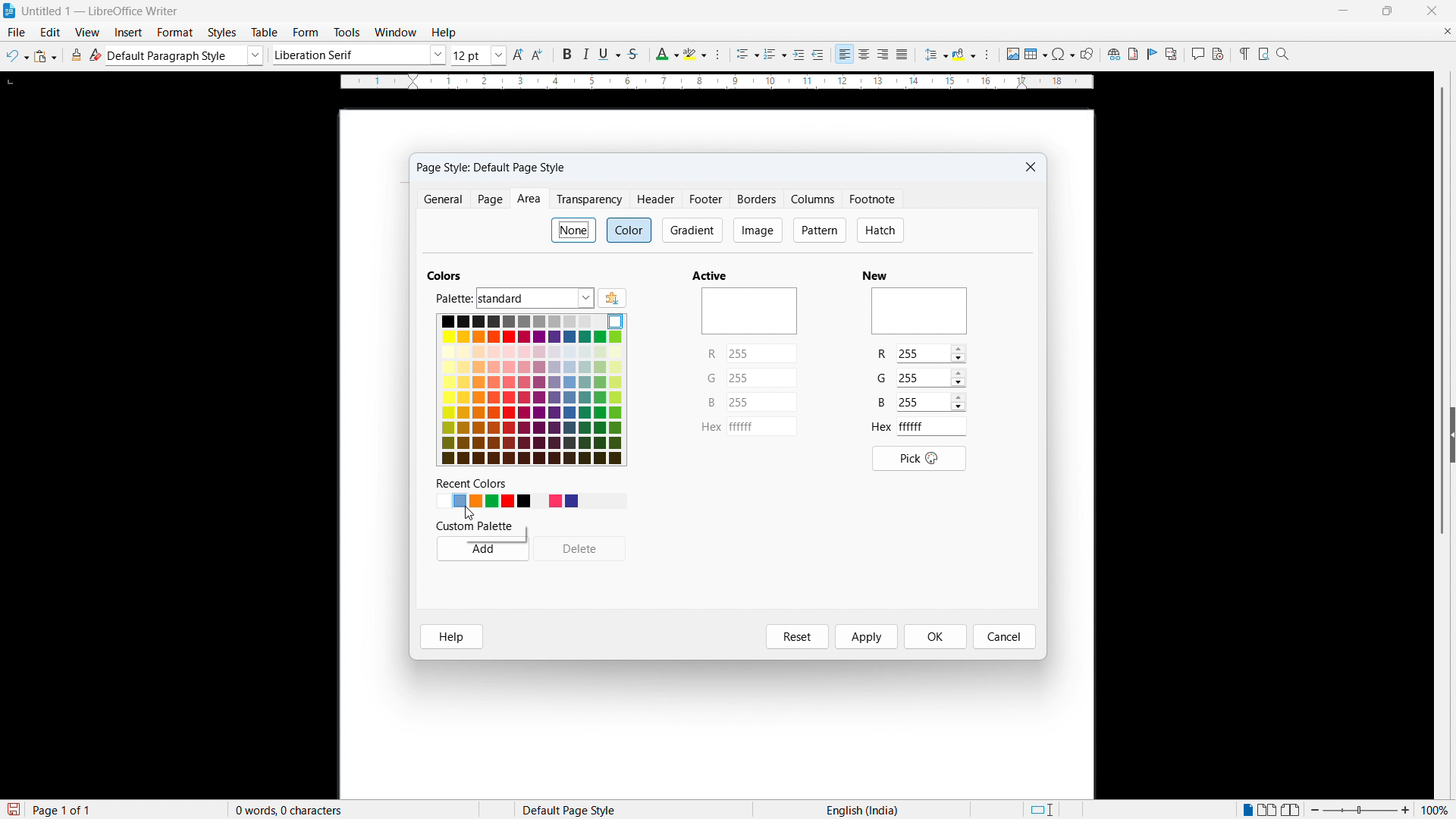 This screenshot has height=819, width=1456. Describe the element at coordinates (609, 53) in the screenshot. I see `Underline ` at that location.